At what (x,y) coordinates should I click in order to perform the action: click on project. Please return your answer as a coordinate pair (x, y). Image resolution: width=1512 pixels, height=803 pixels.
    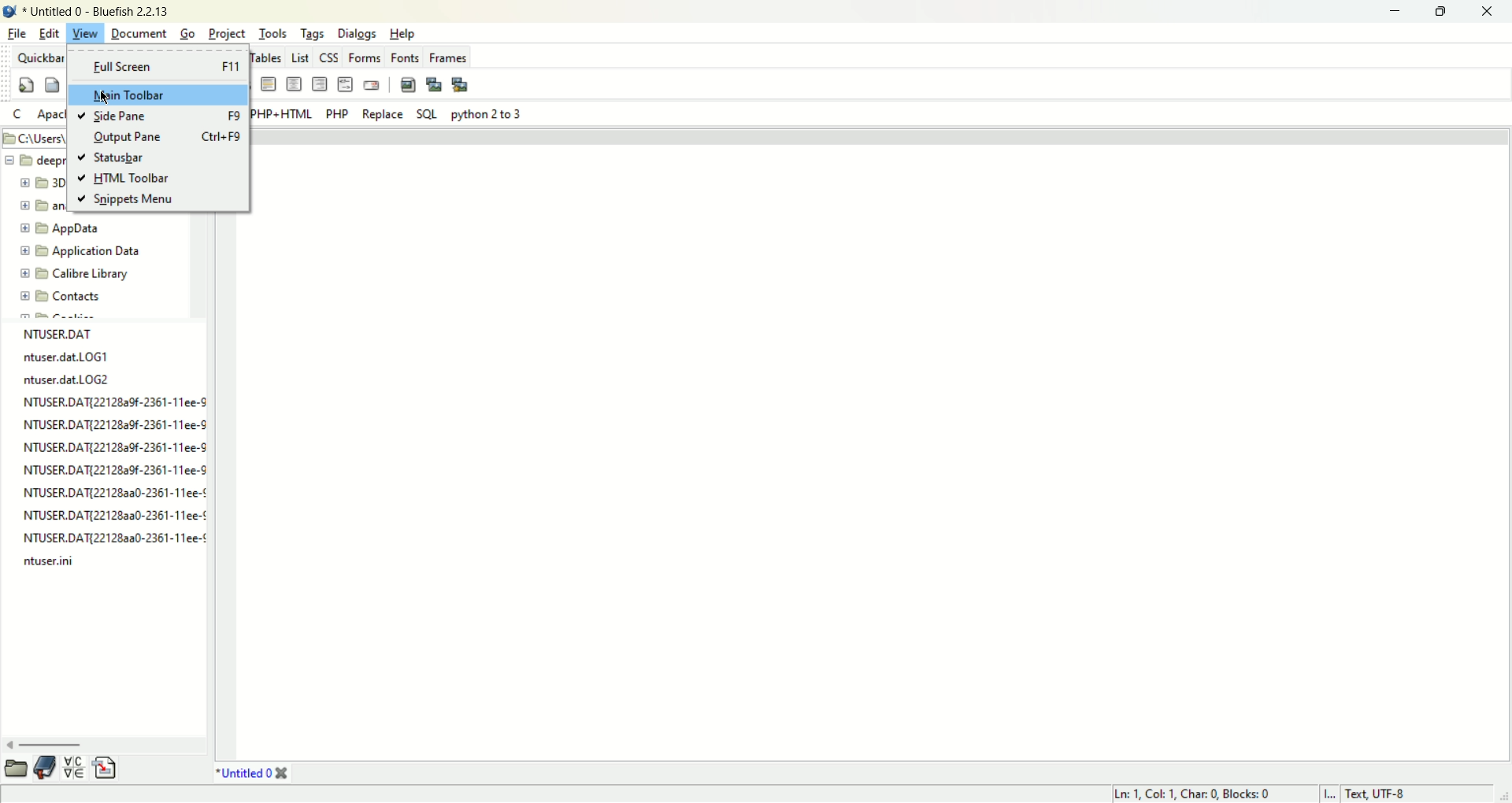
    Looking at the image, I should click on (227, 33).